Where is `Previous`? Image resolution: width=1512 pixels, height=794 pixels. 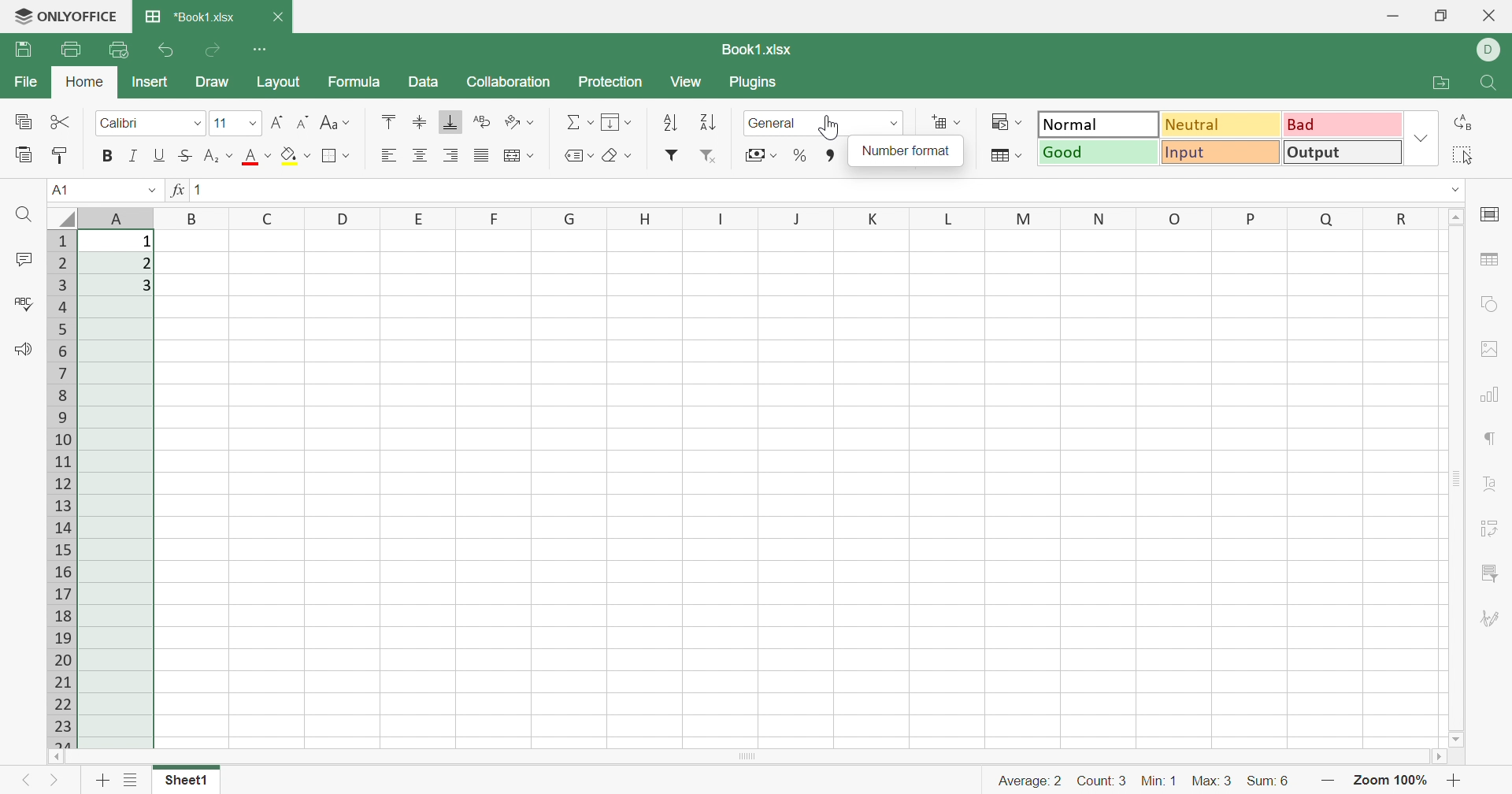 Previous is located at coordinates (20, 783).